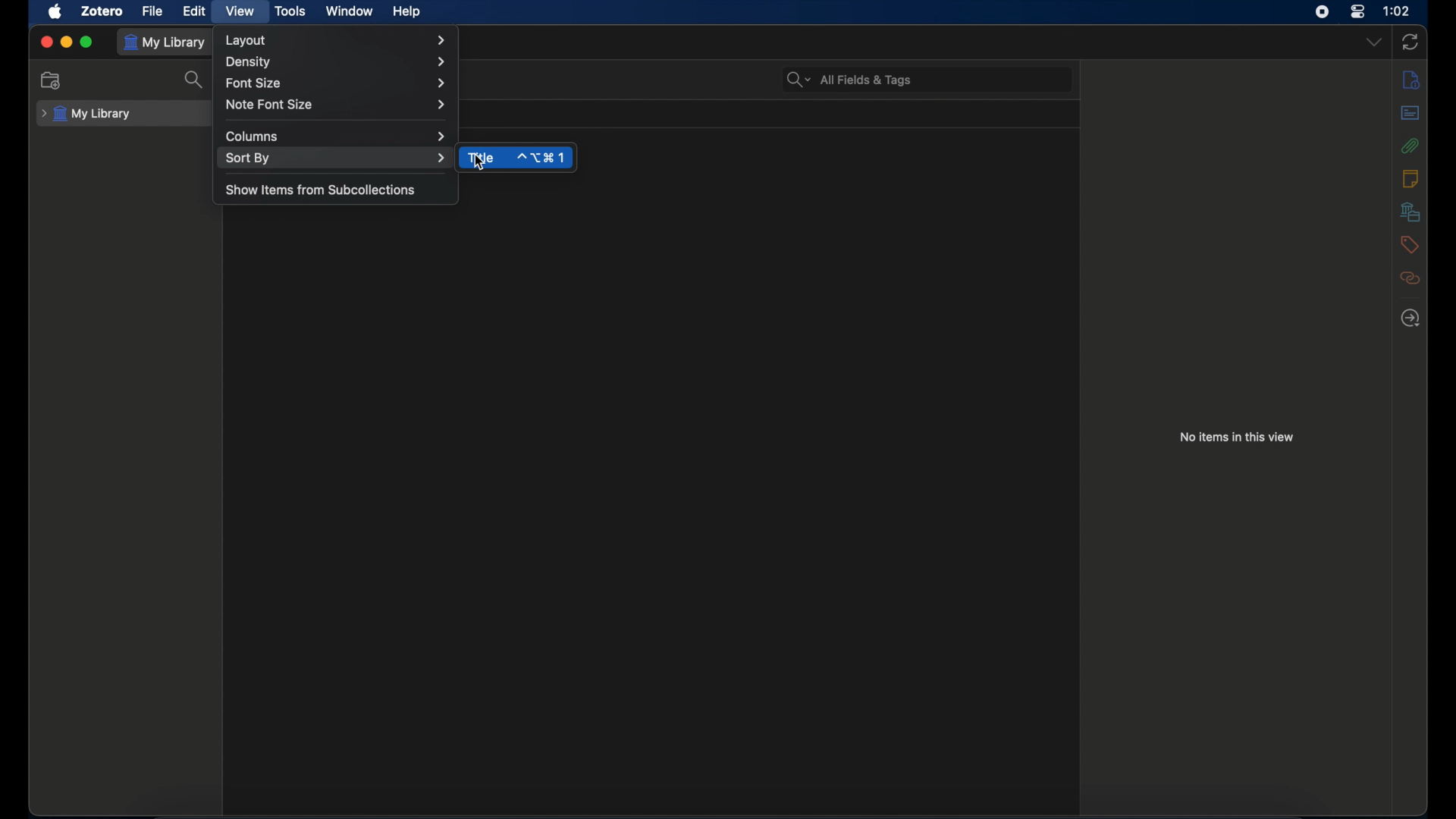  I want to click on libraries, so click(1410, 212).